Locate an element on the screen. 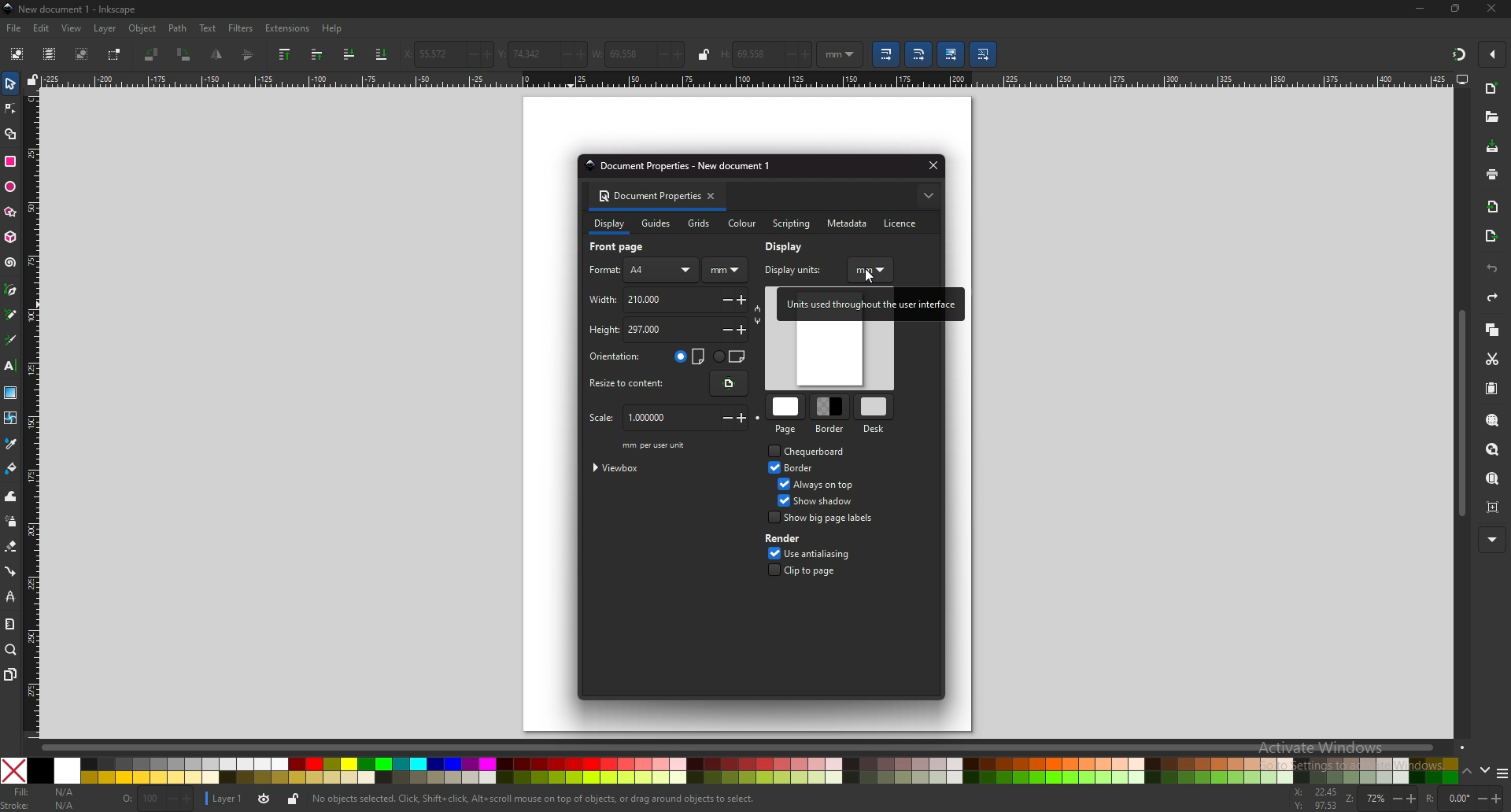 This screenshot has width=1511, height=812. text is located at coordinates (209, 28).